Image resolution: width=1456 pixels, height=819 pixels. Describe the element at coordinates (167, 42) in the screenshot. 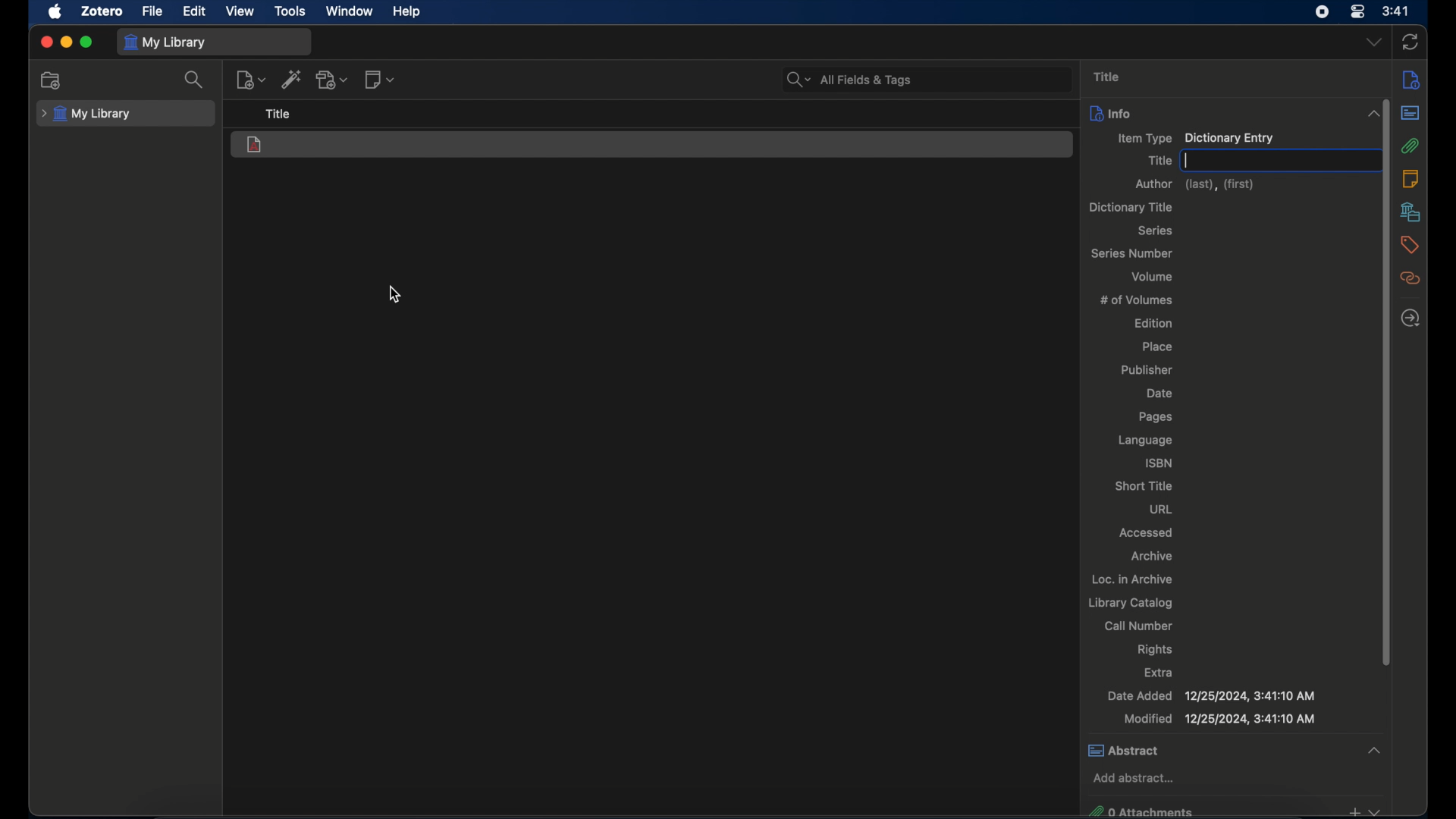

I see `my library` at that location.